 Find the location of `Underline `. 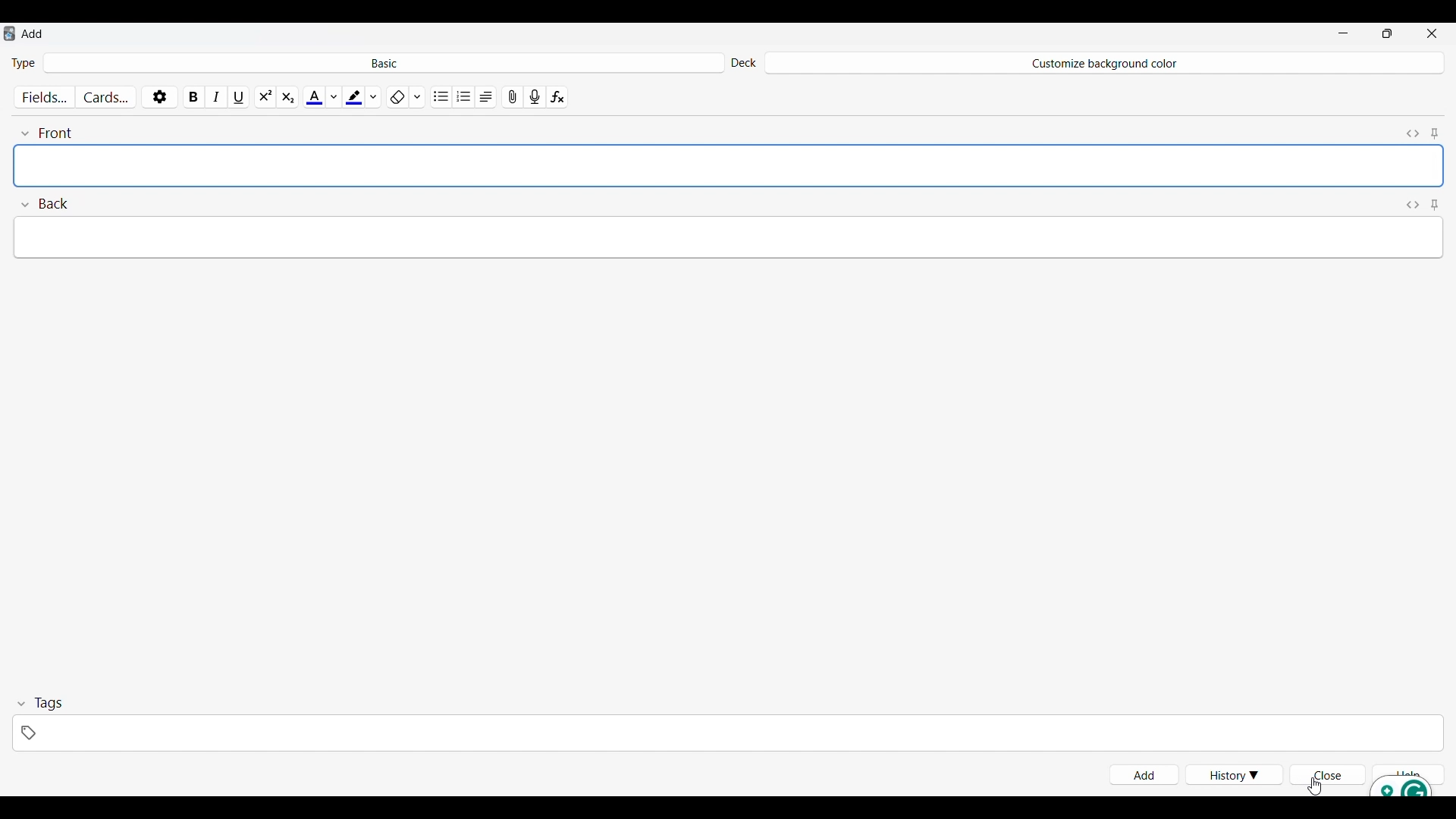

Underline  is located at coordinates (240, 94).